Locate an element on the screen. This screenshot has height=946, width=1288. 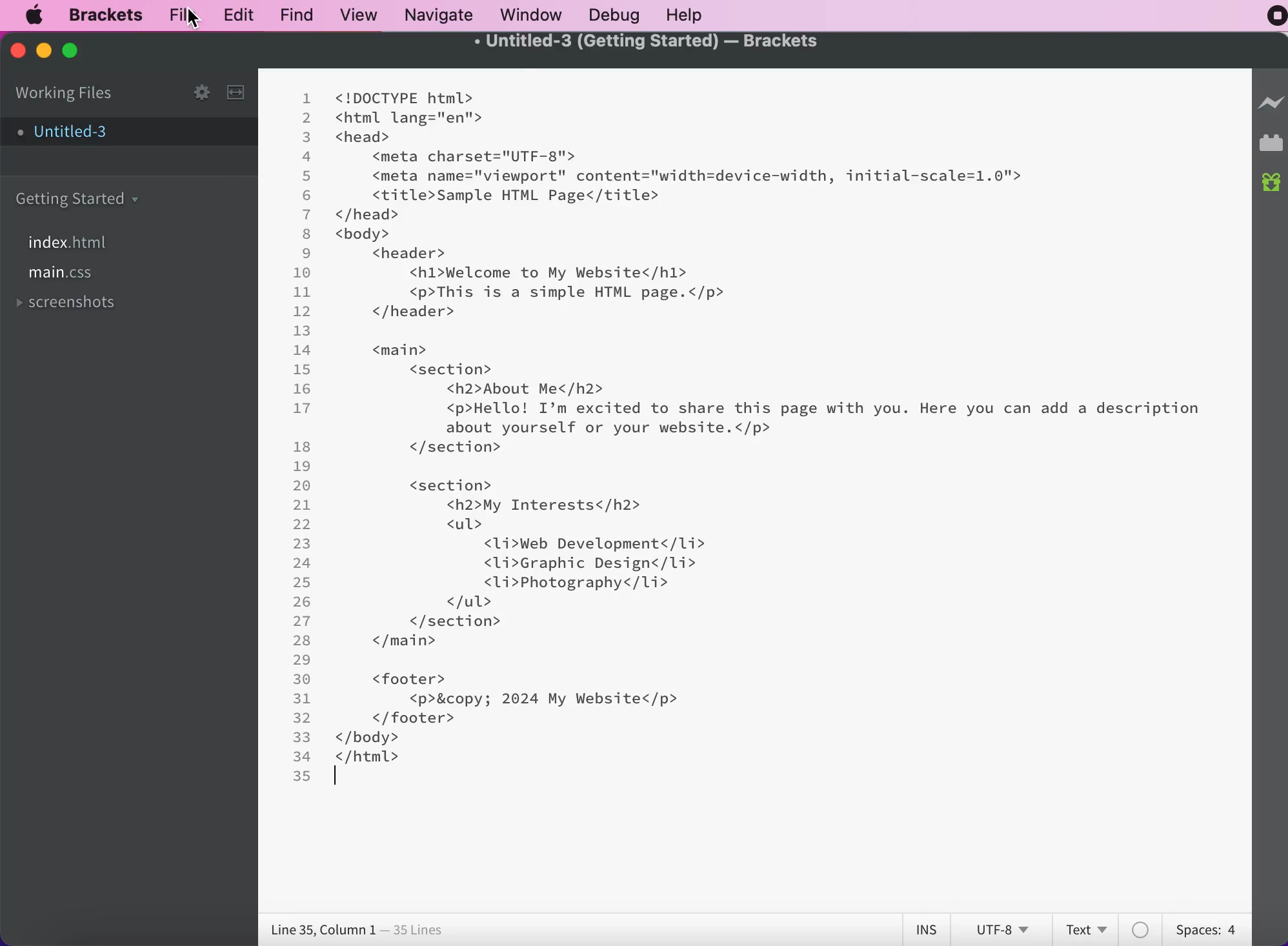
split the editor vertically or horizontally is located at coordinates (235, 92).